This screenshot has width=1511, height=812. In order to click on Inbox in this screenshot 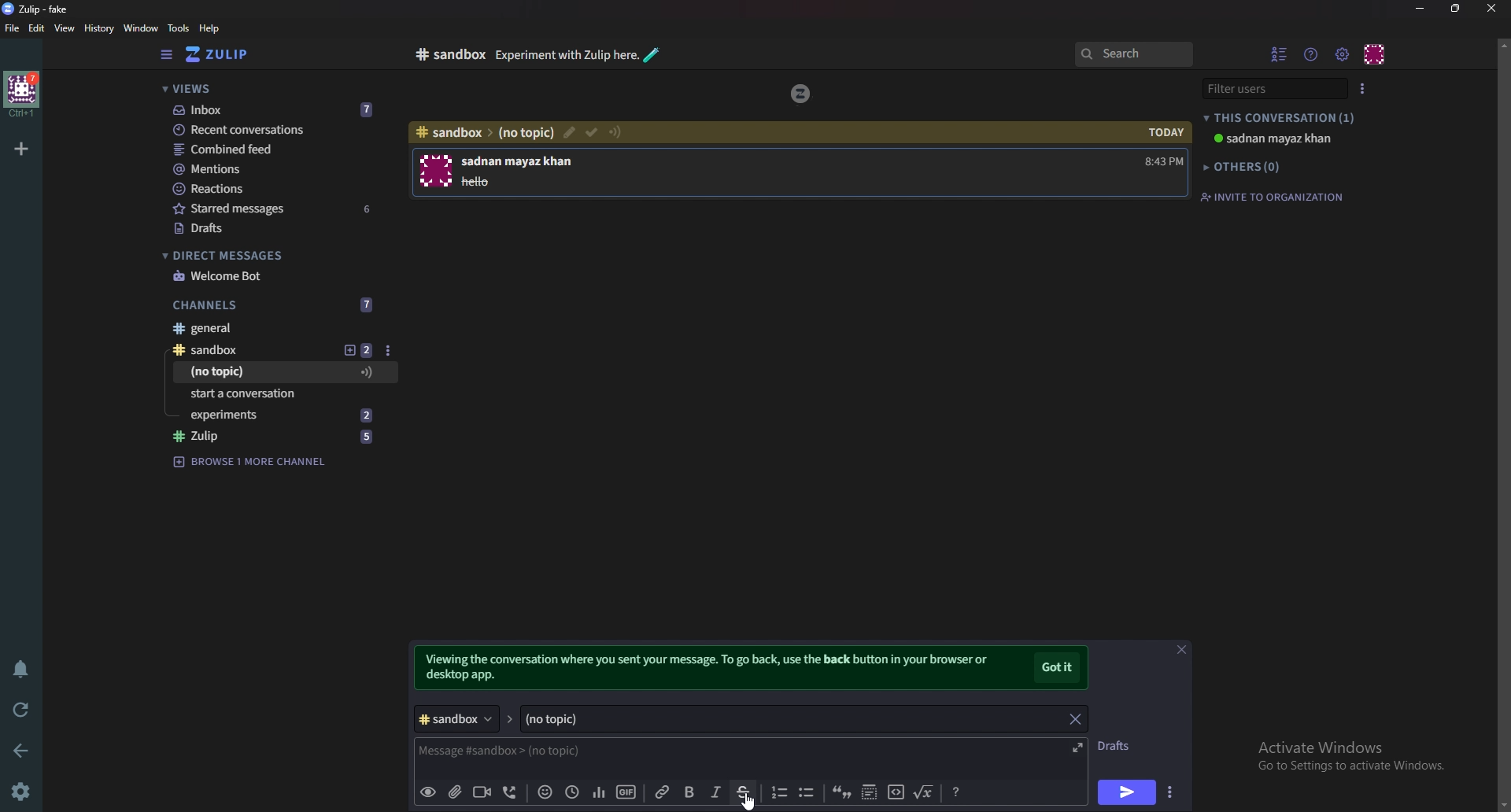, I will do `click(280, 108)`.